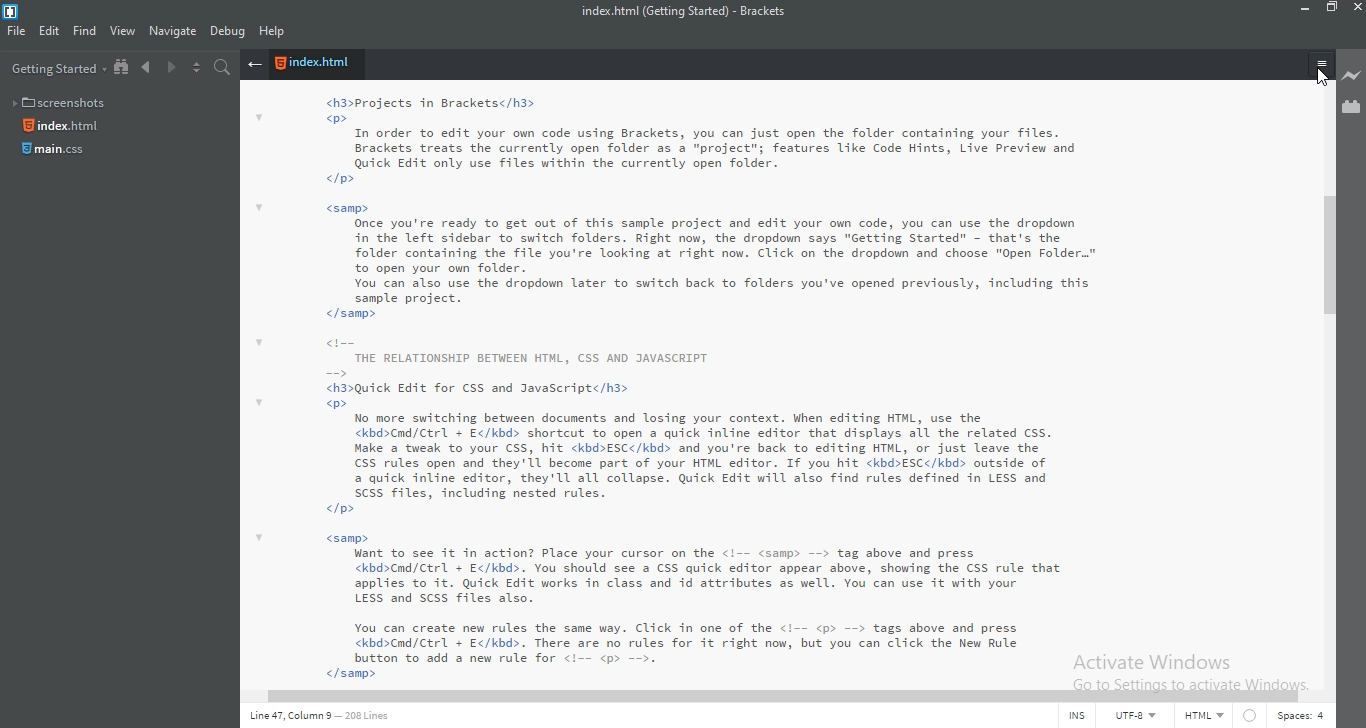  What do you see at coordinates (195, 68) in the screenshot?
I see `Split the editor vertically or horizontally` at bounding box center [195, 68].